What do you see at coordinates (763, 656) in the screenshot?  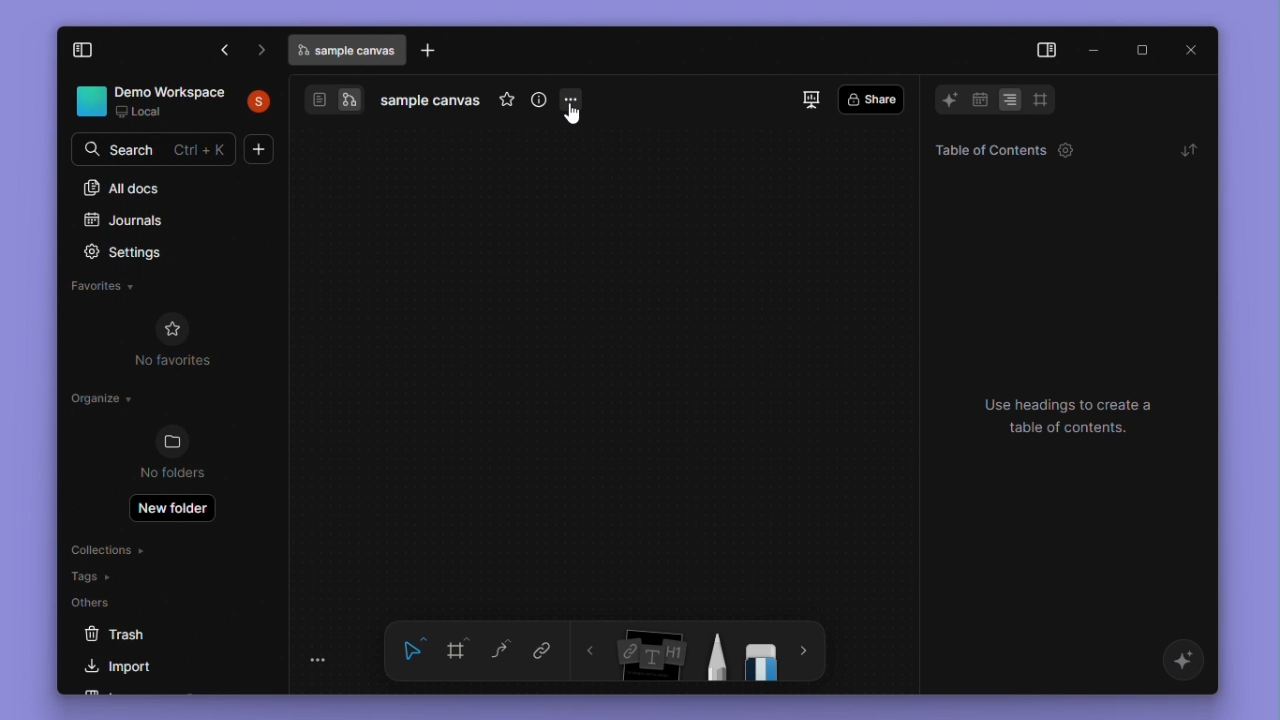 I see `eraser` at bounding box center [763, 656].